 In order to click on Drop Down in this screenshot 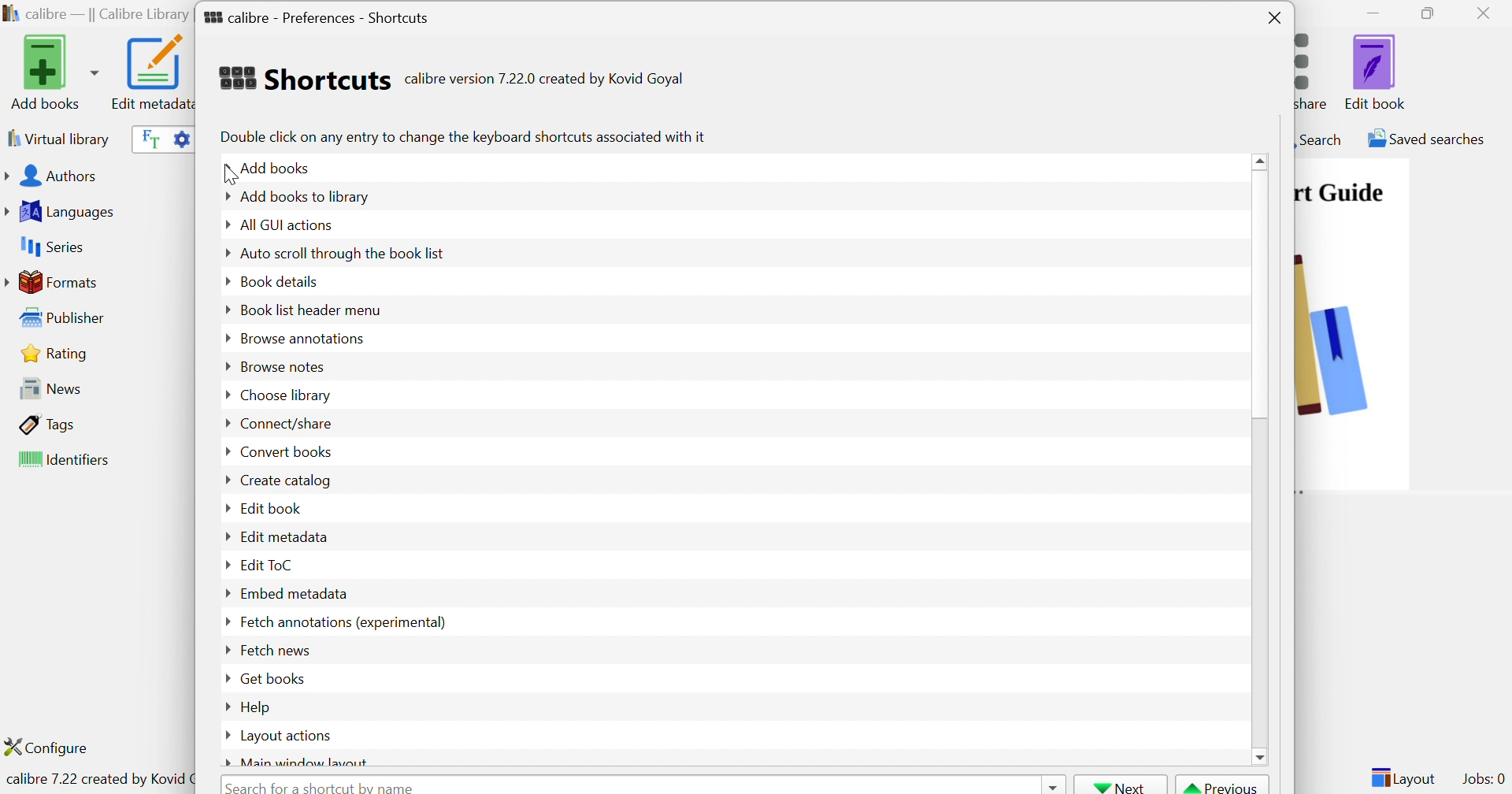, I will do `click(227, 424)`.